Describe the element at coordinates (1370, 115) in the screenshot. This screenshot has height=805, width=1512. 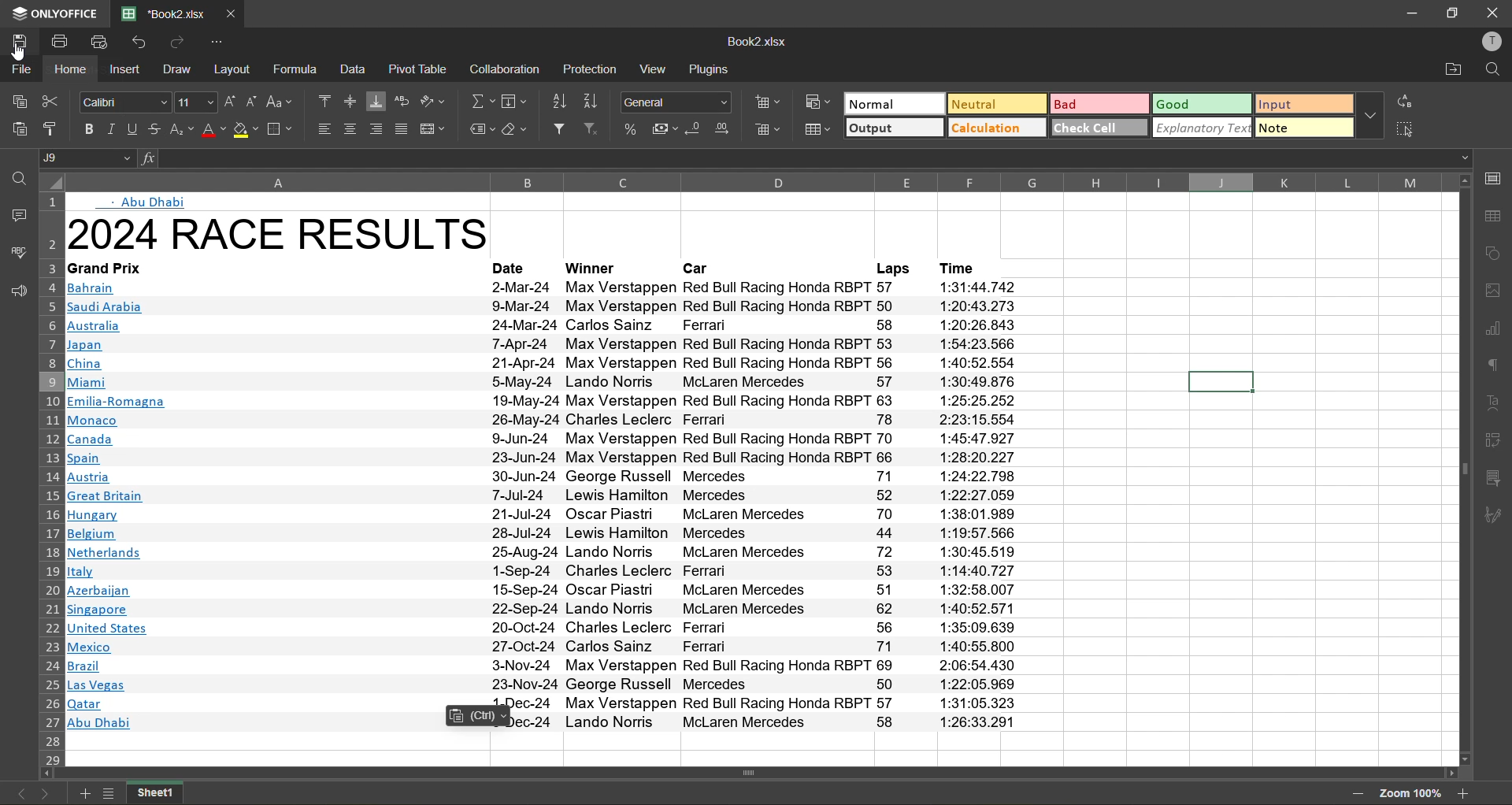
I see `more options` at that location.